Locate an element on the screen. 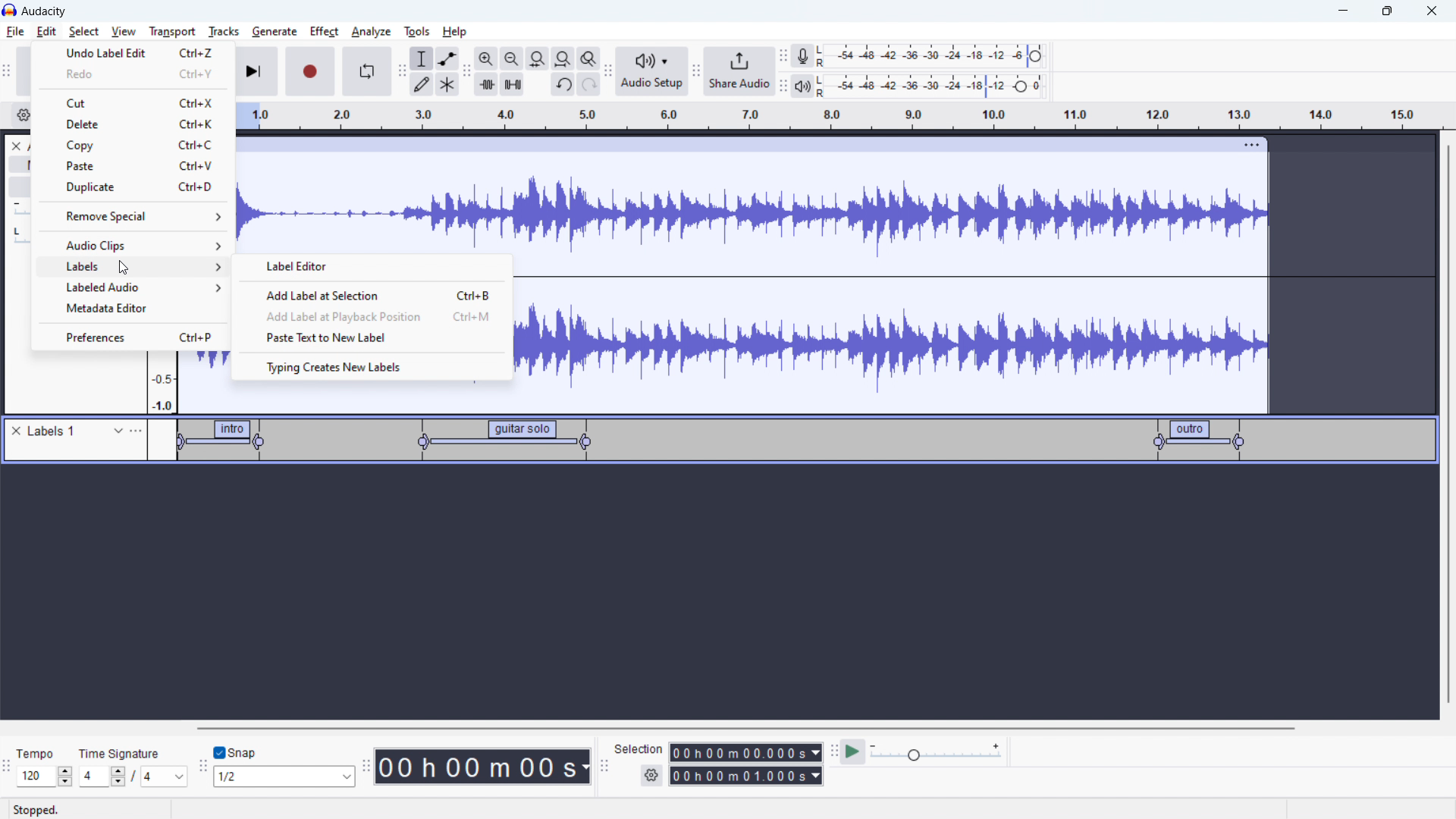 Image resolution: width=1456 pixels, height=819 pixels. mute is located at coordinates (20, 165).